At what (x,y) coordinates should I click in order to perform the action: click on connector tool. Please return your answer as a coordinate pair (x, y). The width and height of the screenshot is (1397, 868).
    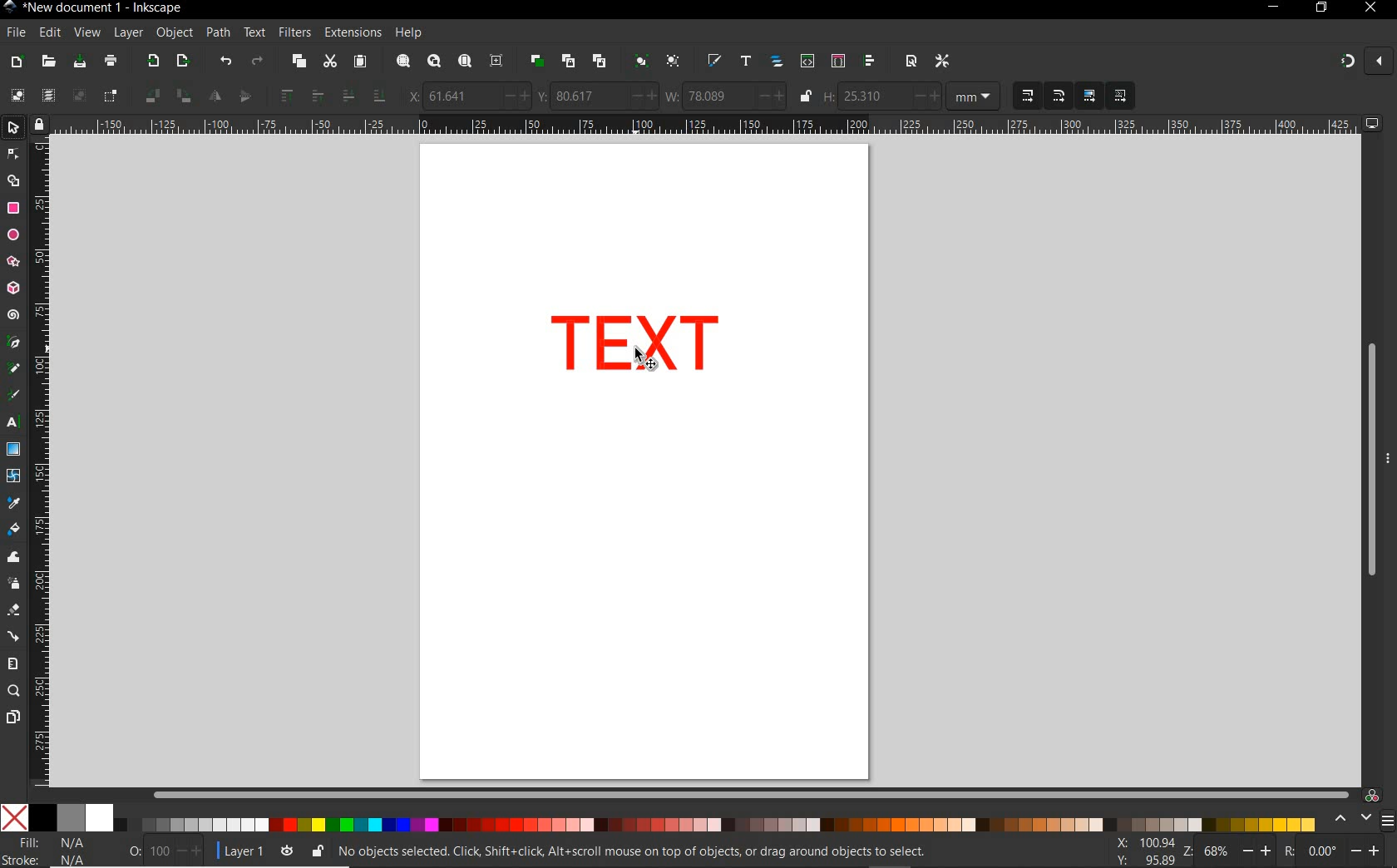
    Looking at the image, I should click on (13, 636).